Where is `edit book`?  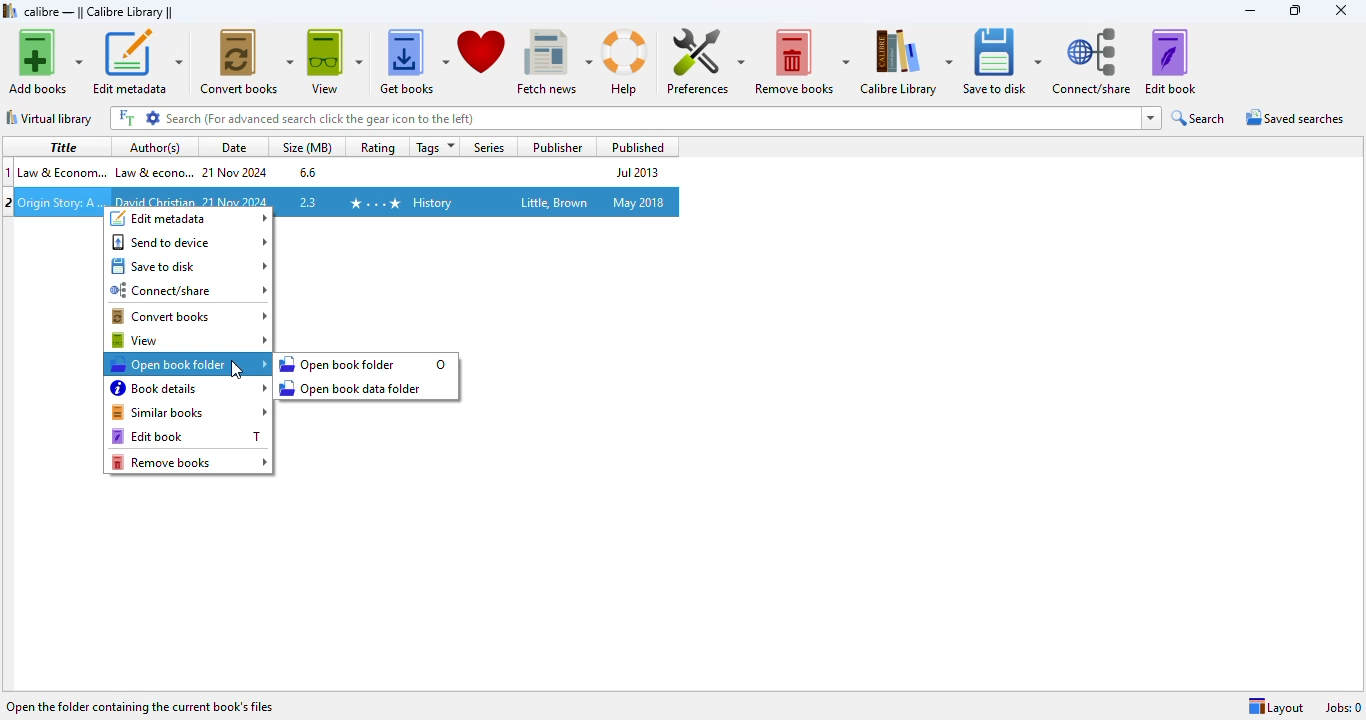 edit book is located at coordinates (172, 436).